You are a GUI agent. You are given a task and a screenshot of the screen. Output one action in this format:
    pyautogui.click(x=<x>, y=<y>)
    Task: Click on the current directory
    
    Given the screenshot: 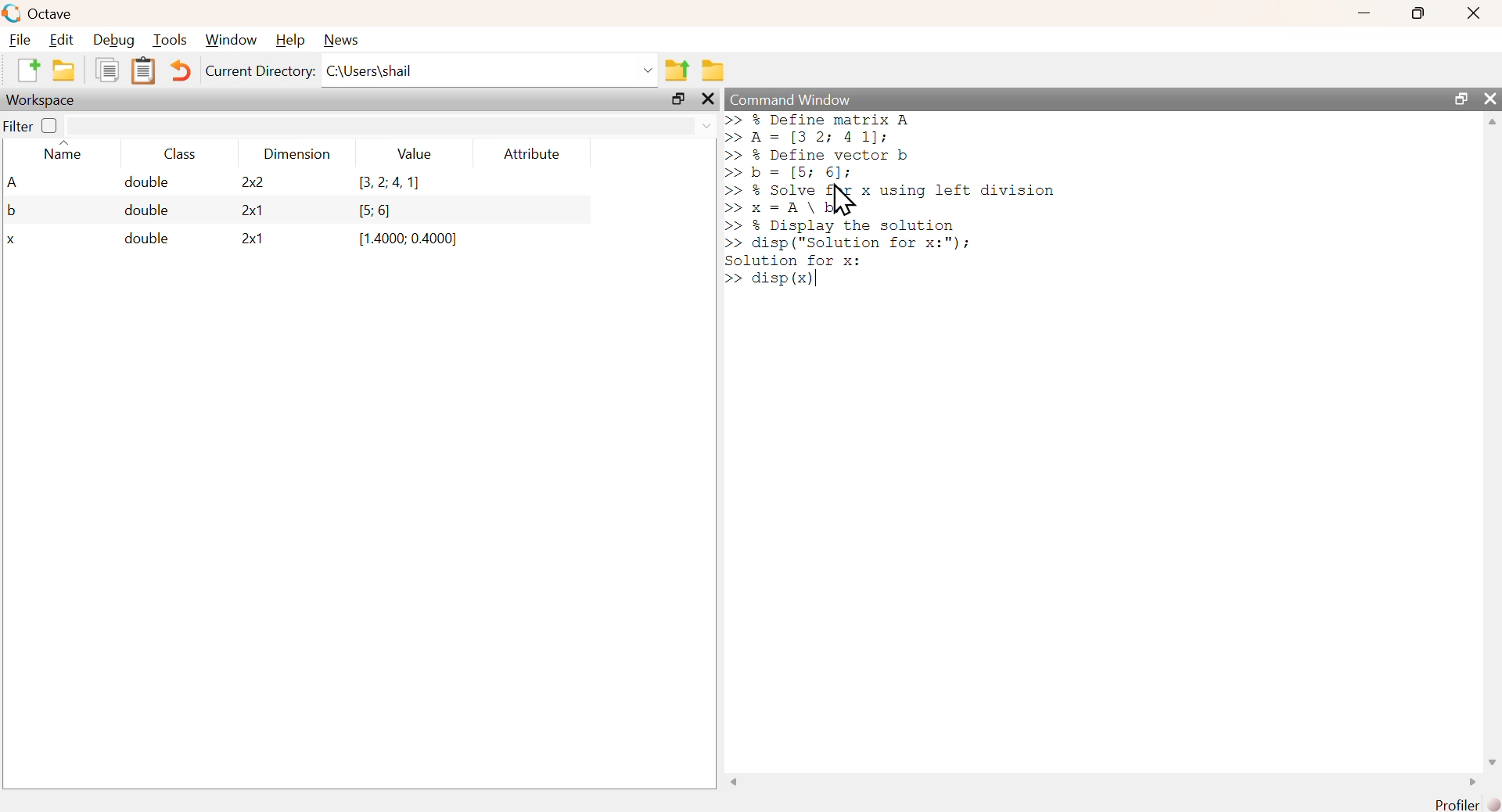 What is the action you would take?
    pyautogui.click(x=260, y=73)
    